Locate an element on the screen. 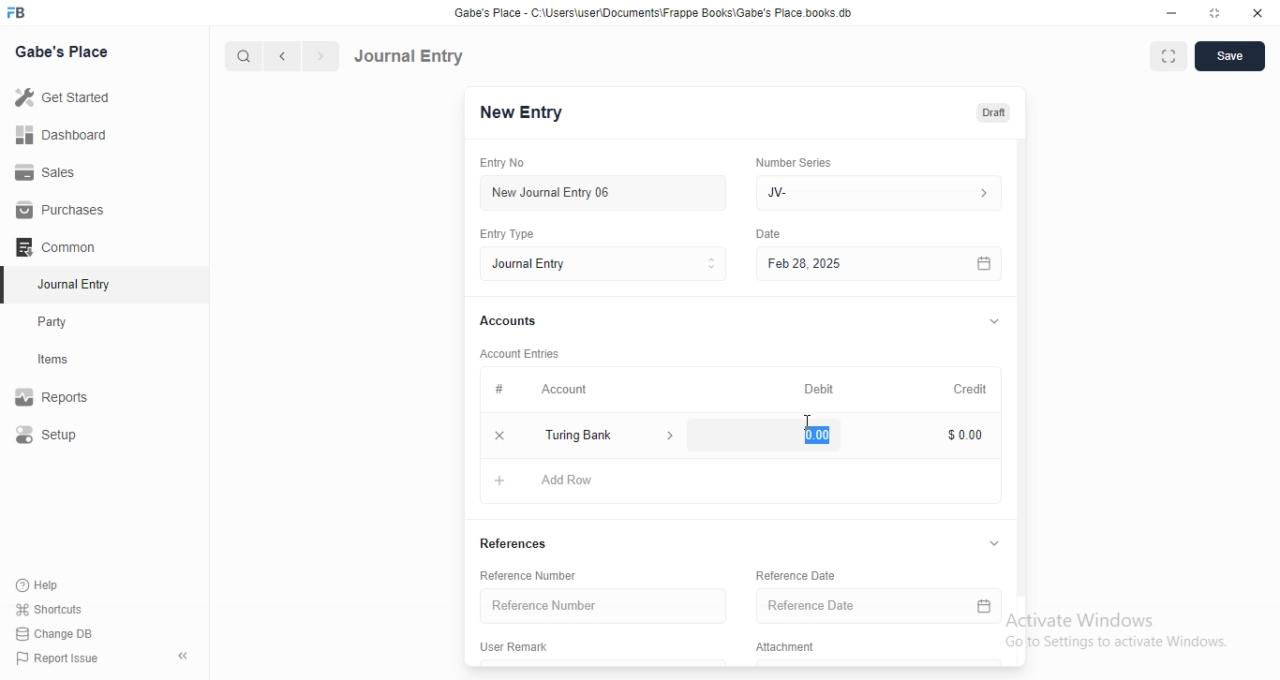 The width and height of the screenshot is (1280, 680). $000 is located at coordinates (967, 435).